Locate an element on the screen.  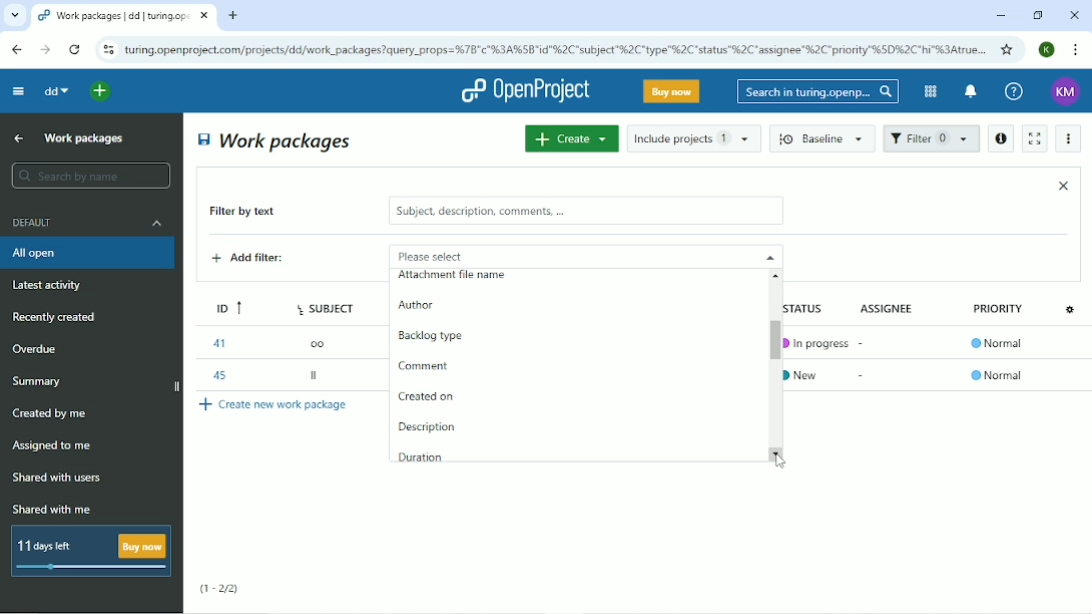
Current tab is located at coordinates (124, 16).